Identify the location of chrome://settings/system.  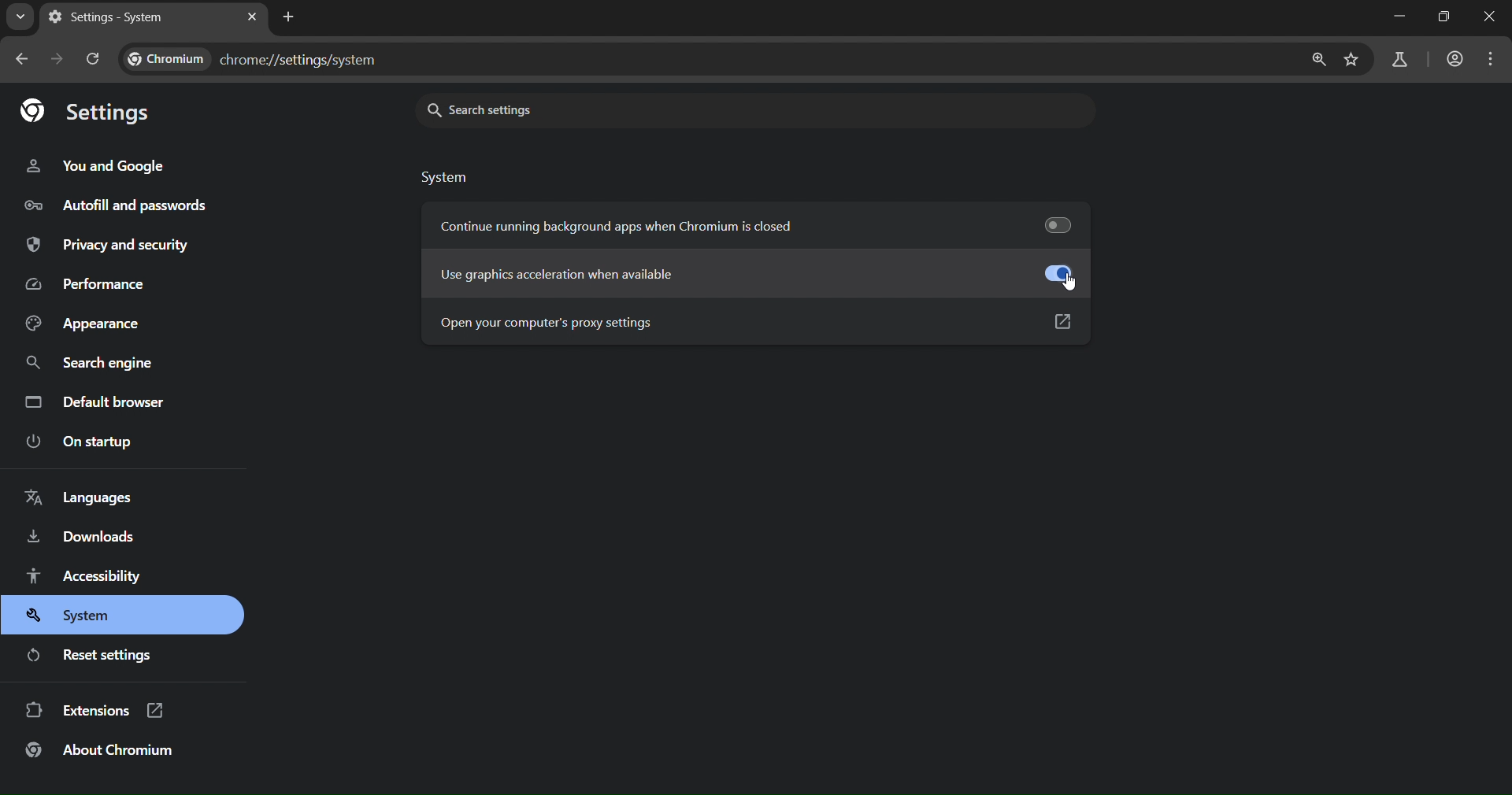
(280, 58).